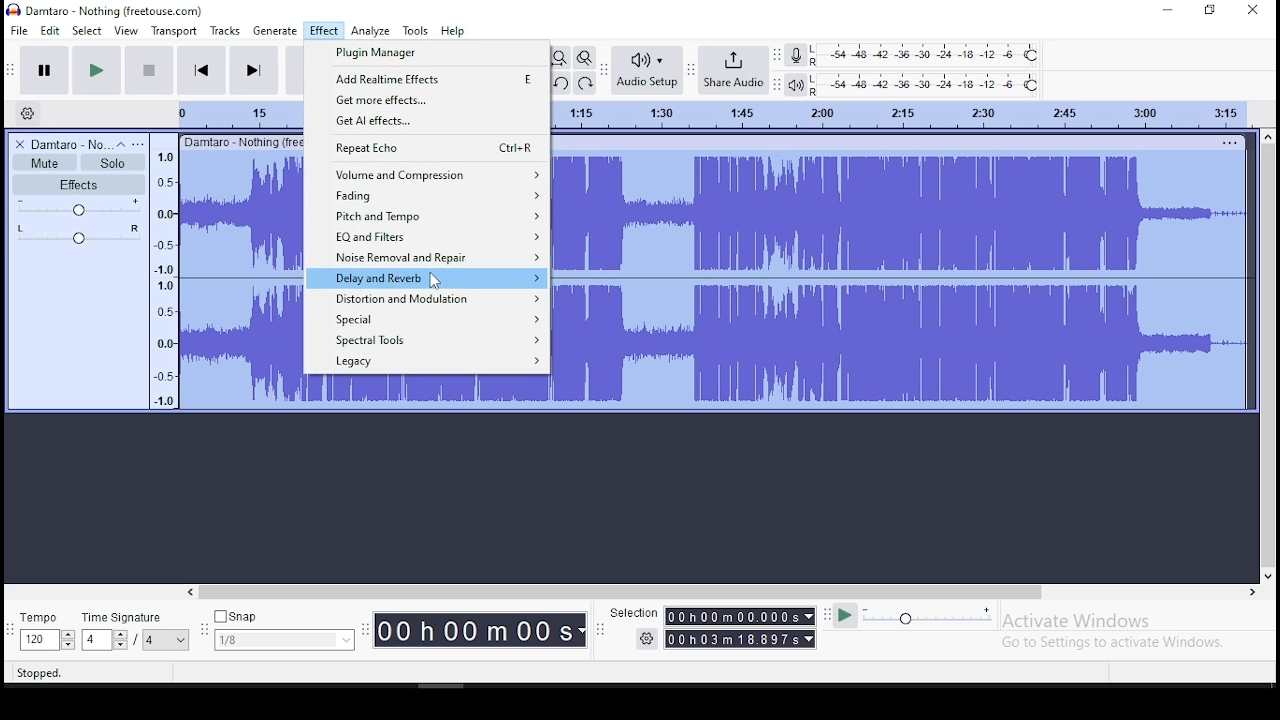  I want to click on Maximize, so click(1210, 12).